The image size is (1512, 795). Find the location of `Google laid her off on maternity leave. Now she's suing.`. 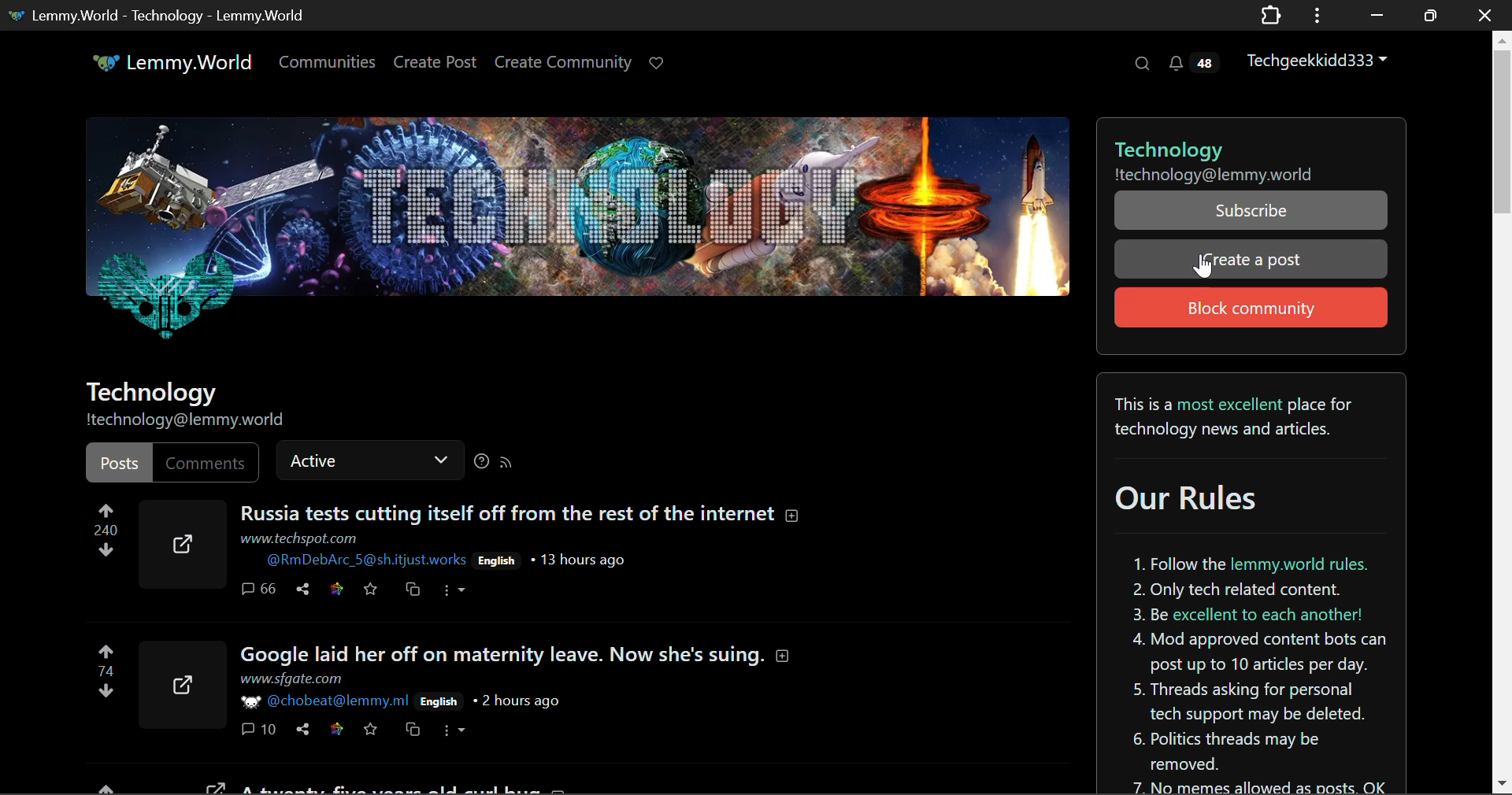

Google laid her off on maternity leave. Now she's suing. is located at coordinates (520, 656).